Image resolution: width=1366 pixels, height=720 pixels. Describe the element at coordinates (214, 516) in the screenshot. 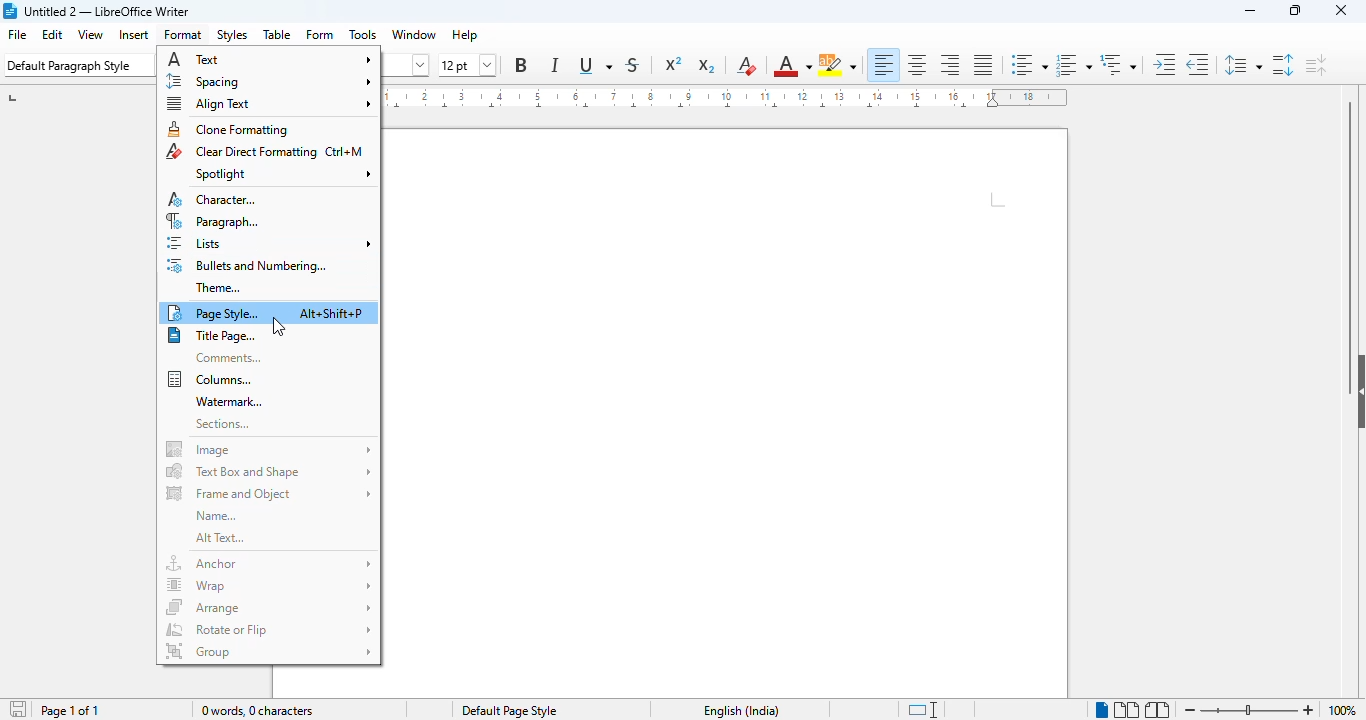

I see `name` at that location.